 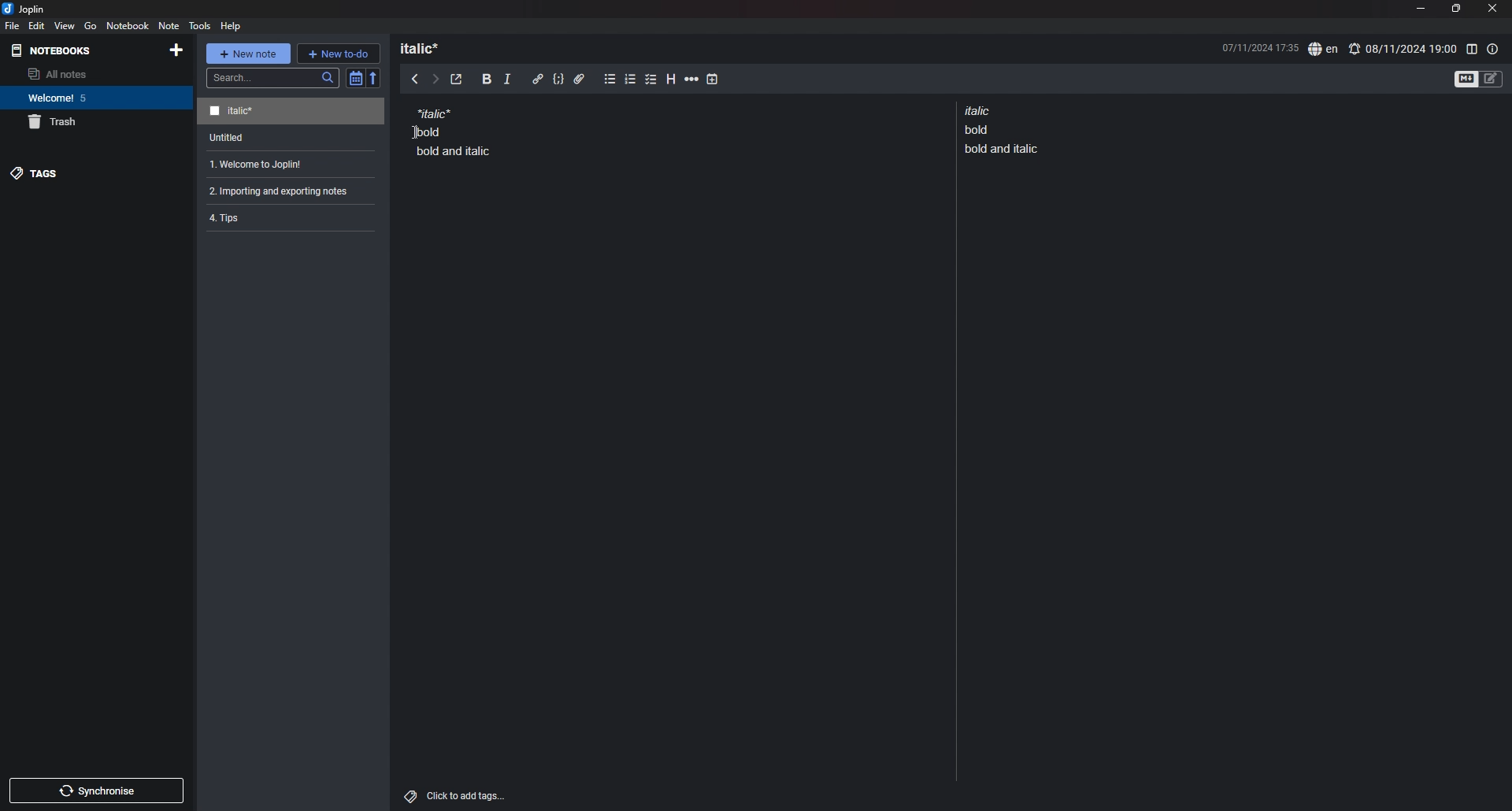 I want to click on note, so click(x=1005, y=129).